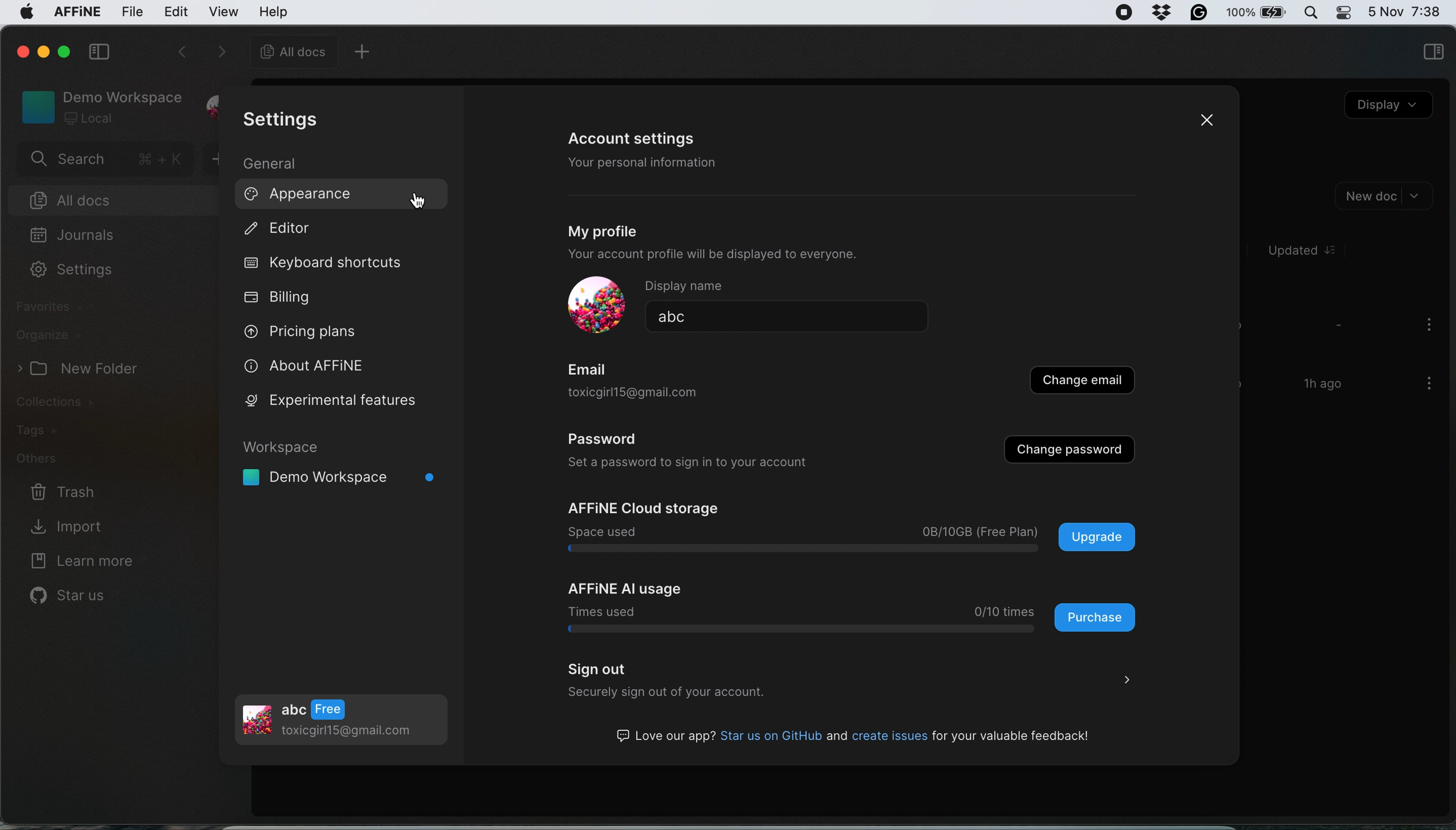 The image size is (1456, 830). I want to click on pricing plans, so click(318, 333).